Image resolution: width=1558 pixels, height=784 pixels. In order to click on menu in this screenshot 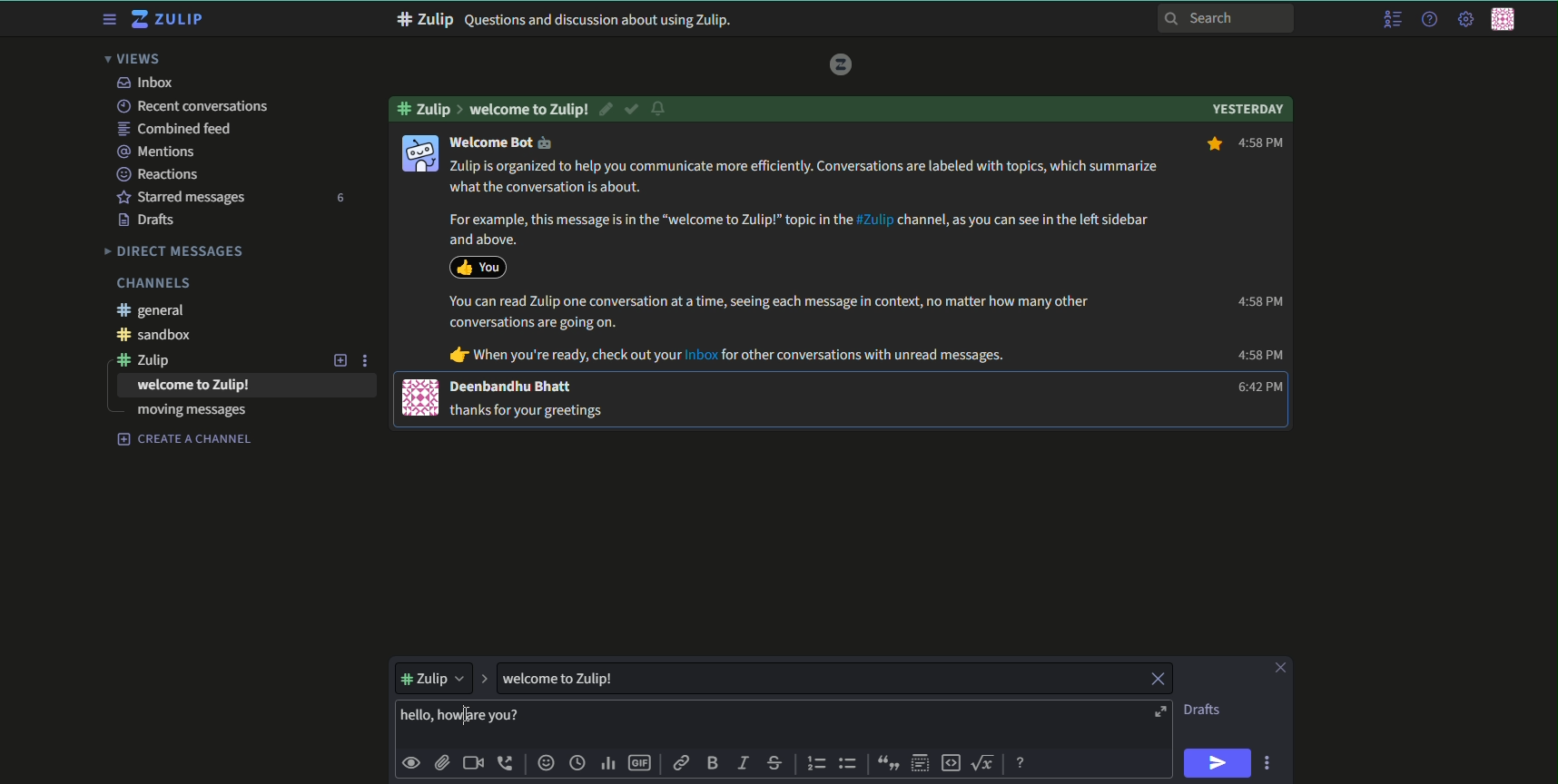, I will do `click(107, 20)`.